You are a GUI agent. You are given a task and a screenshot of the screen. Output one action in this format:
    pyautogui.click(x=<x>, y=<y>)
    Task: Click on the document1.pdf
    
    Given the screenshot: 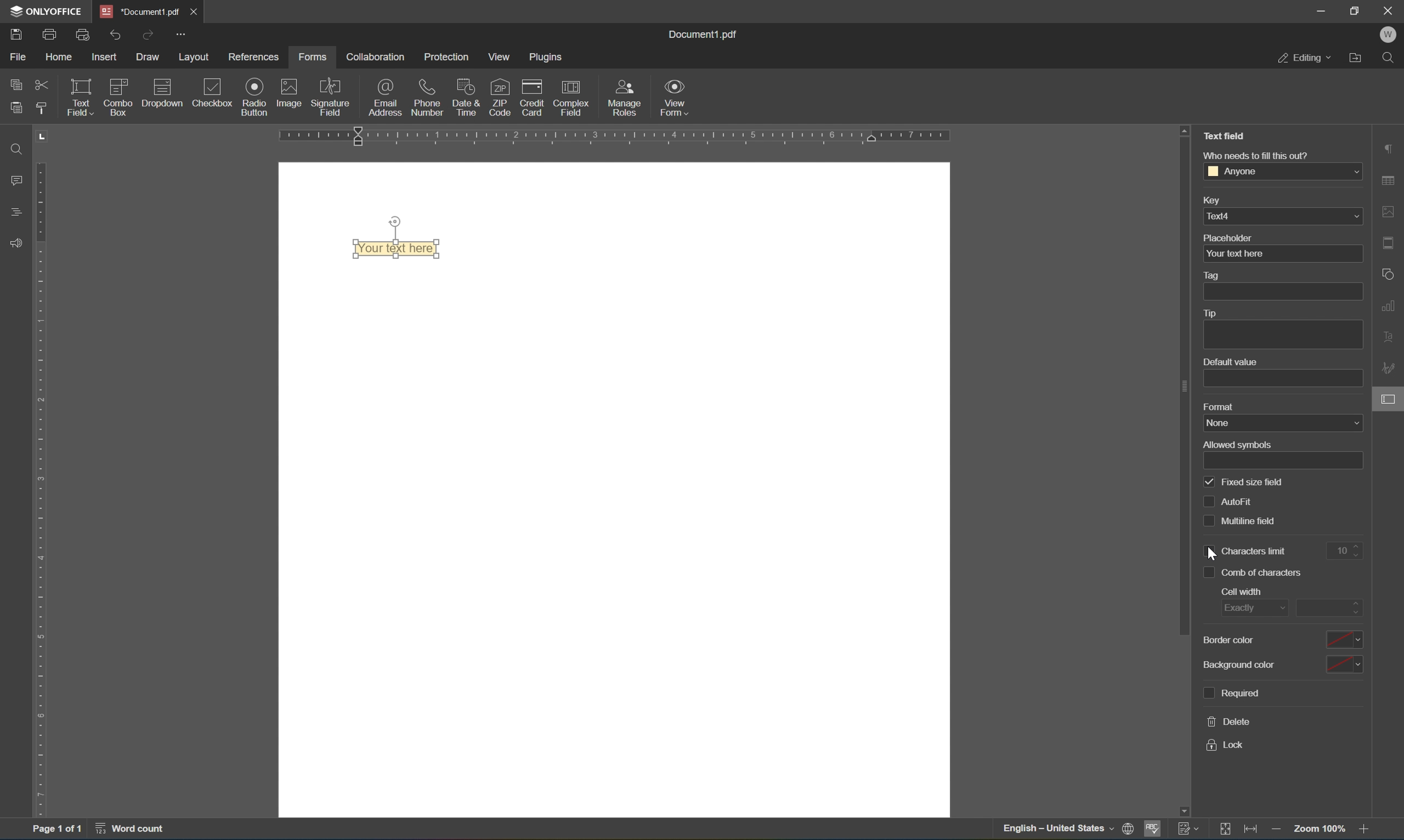 What is the action you would take?
    pyautogui.click(x=701, y=35)
    